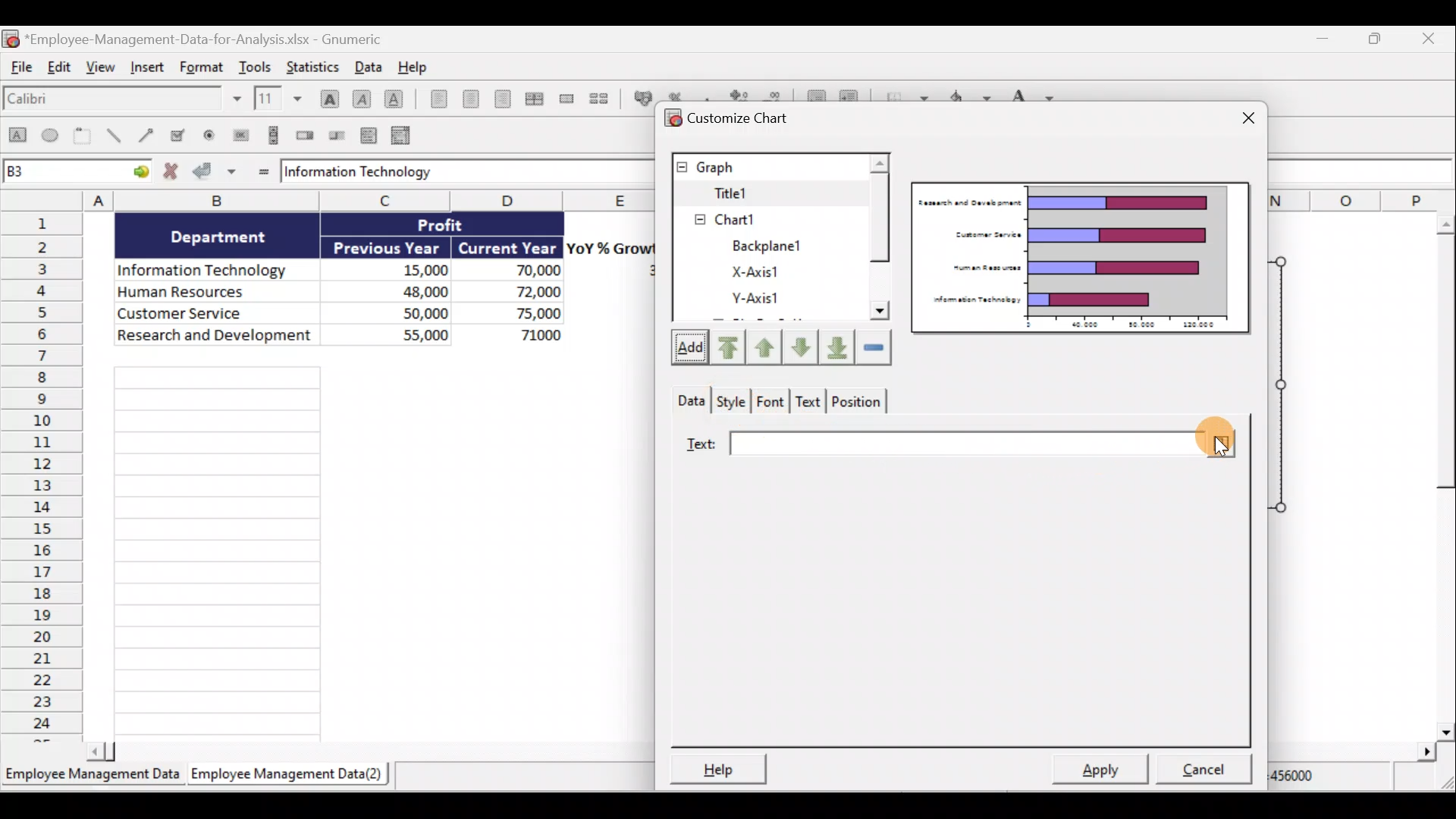 The height and width of the screenshot is (819, 1456). Describe the element at coordinates (290, 774) in the screenshot. I see `Employee Management Data(2)` at that location.